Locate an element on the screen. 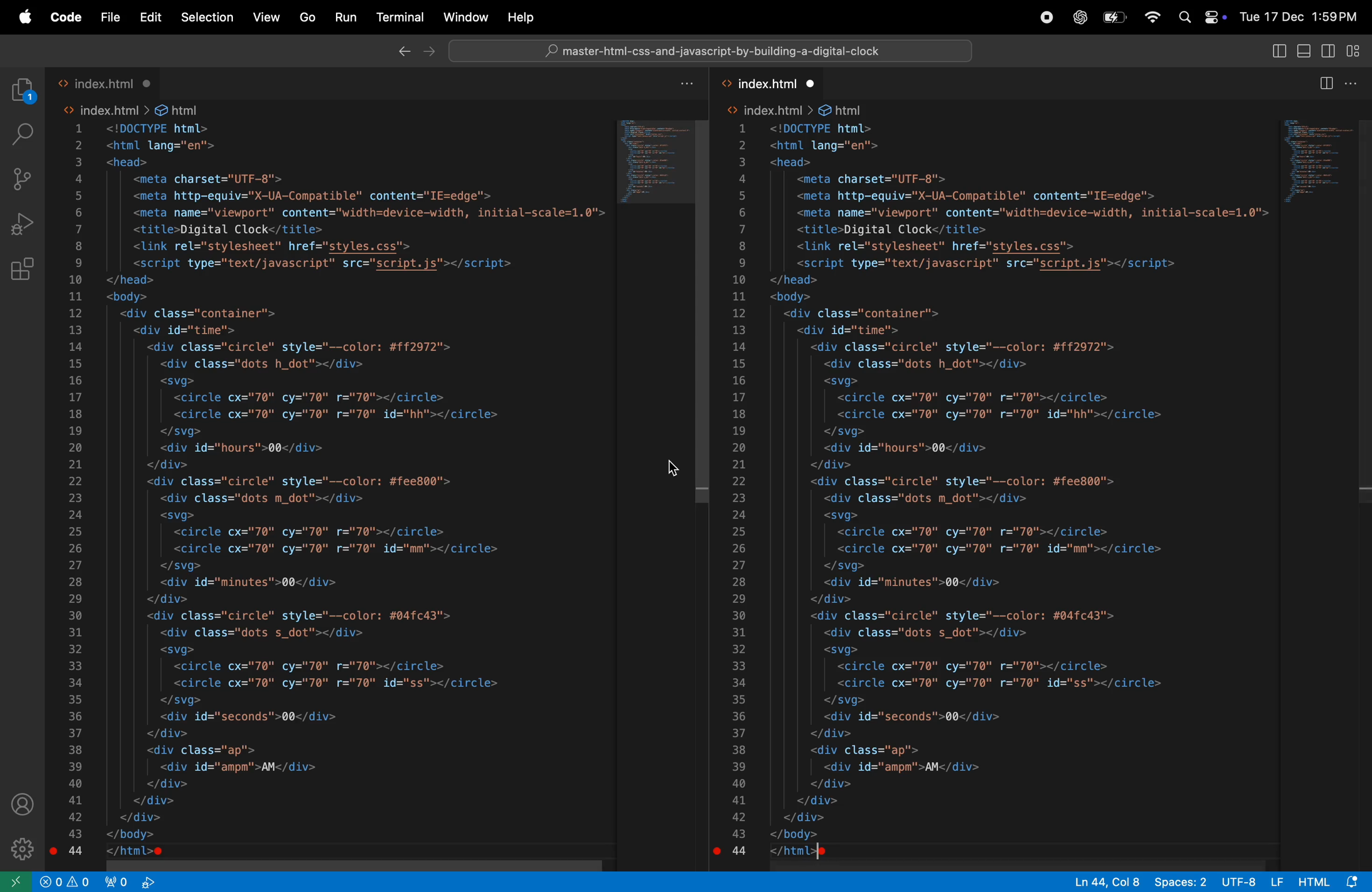  html is located at coordinates (1331, 881).